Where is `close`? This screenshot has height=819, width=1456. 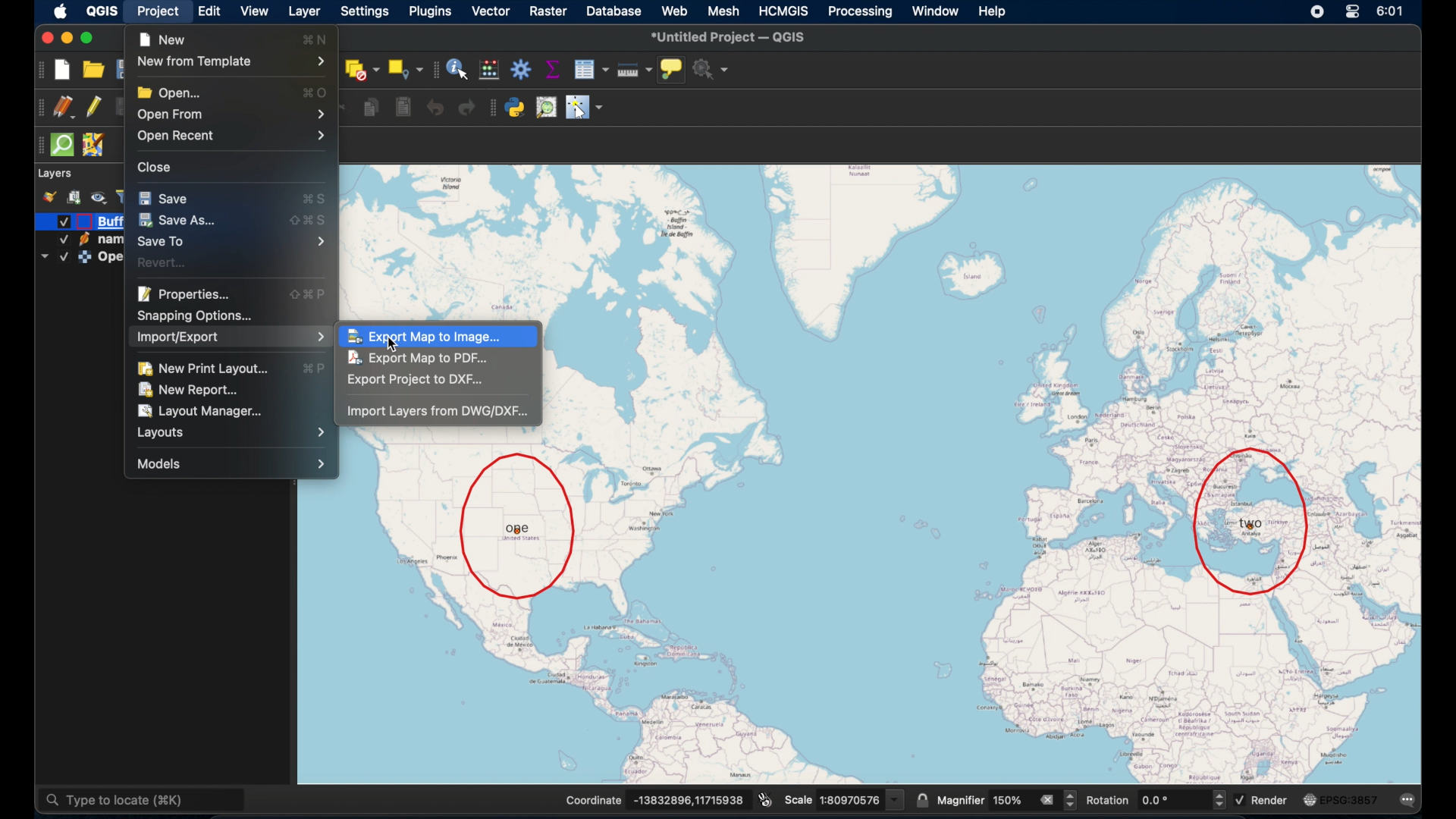
close is located at coordinates (155, 166).